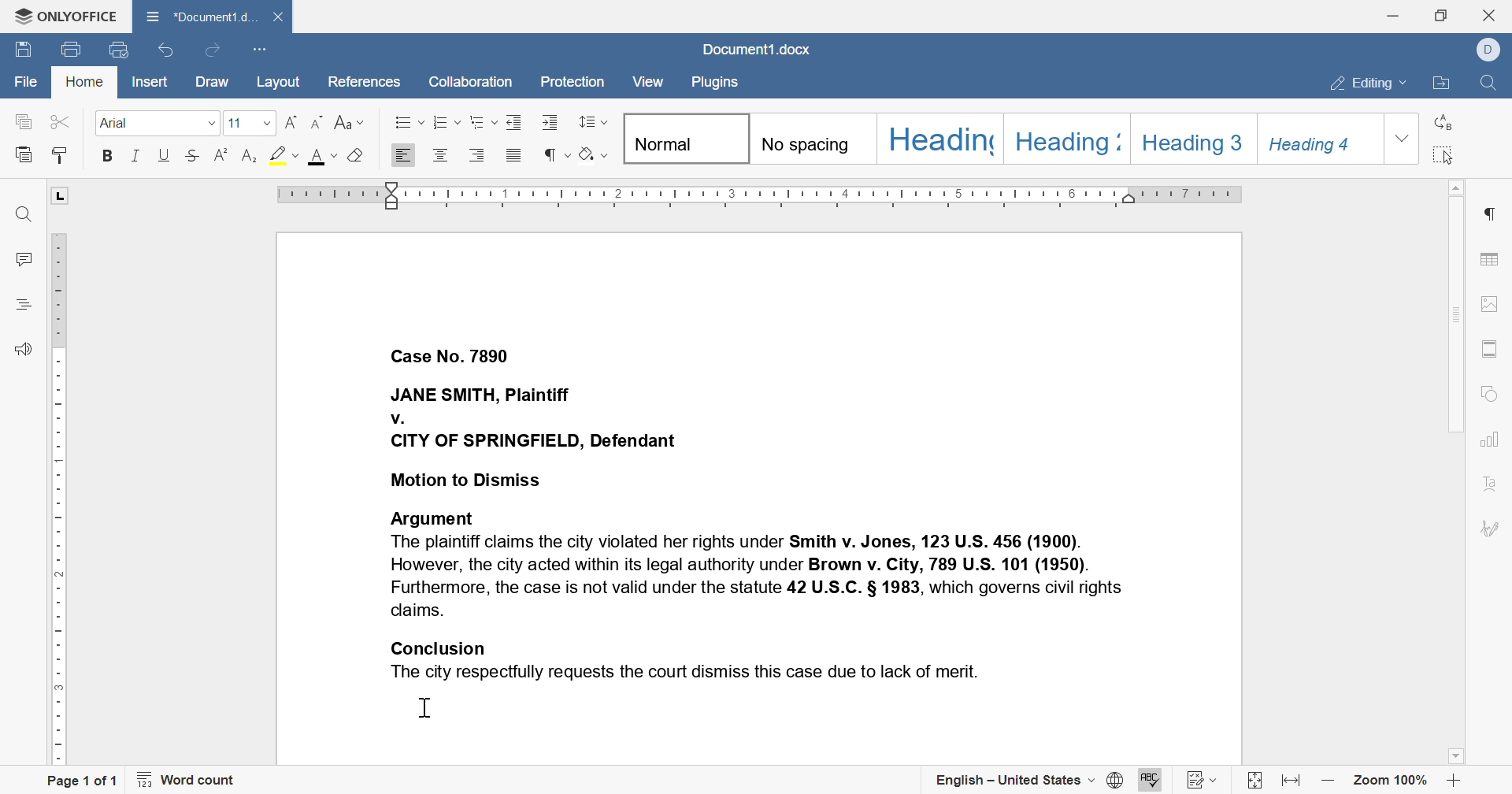 This screenshot has height=794, width=1512. What do you see at coordinates (757, 49) in the screenshot?
I see `Document1.docx` at bounding box center [757, 49].